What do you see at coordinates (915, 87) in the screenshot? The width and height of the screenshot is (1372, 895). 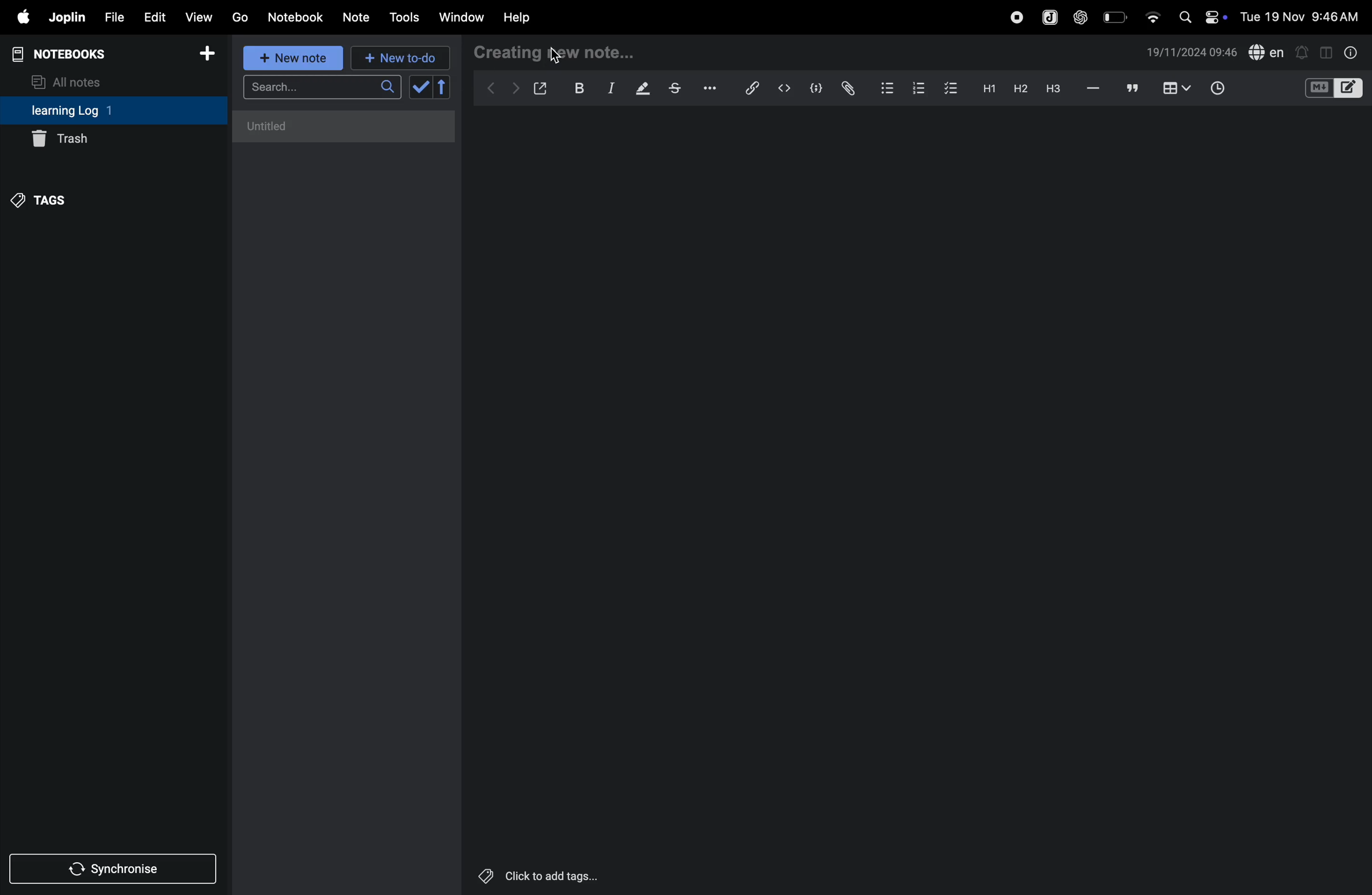 I see `numbered list` at bounding box center [915, 87].